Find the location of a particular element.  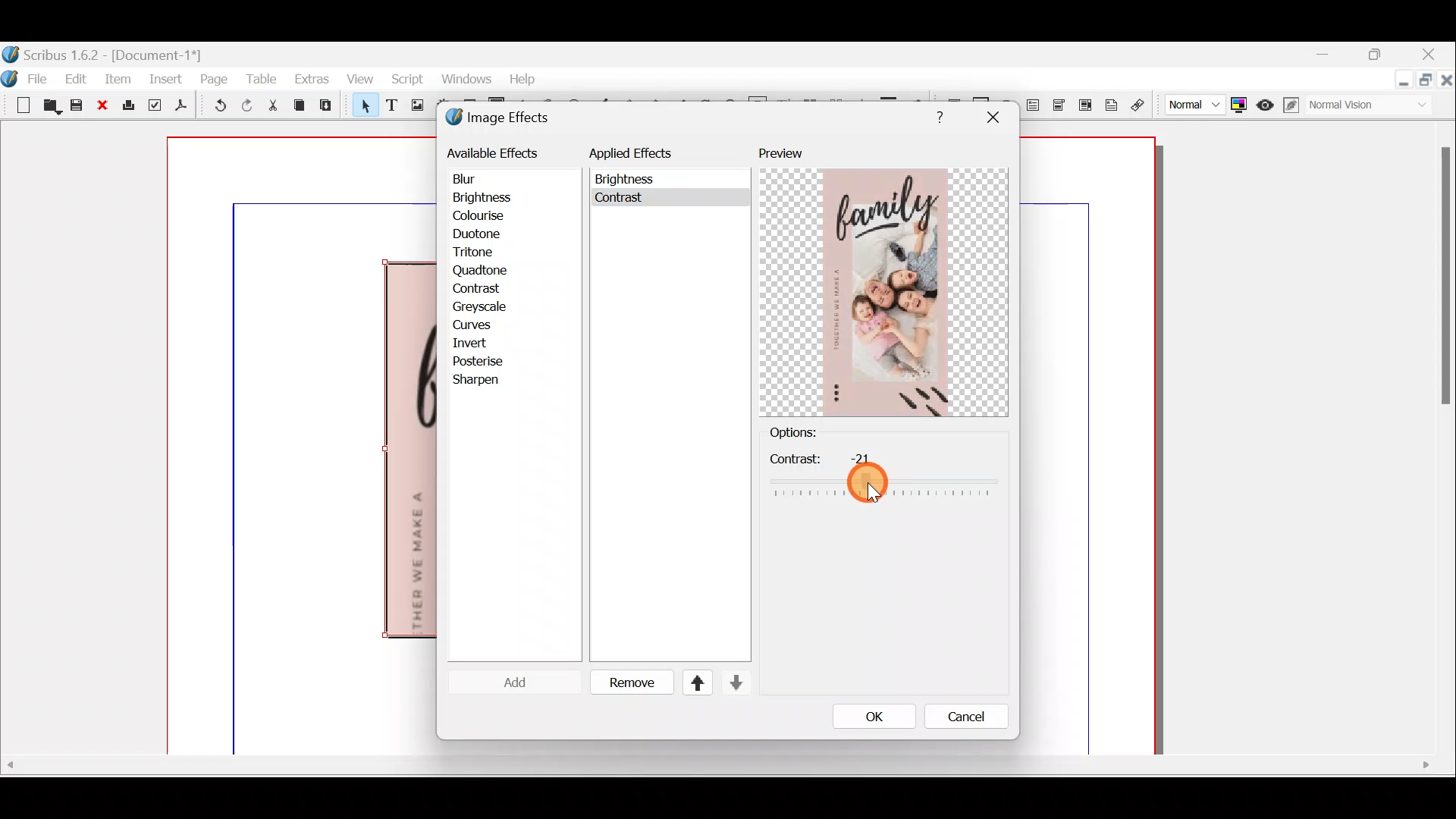

Cursor is located at coordinates (483, 290).